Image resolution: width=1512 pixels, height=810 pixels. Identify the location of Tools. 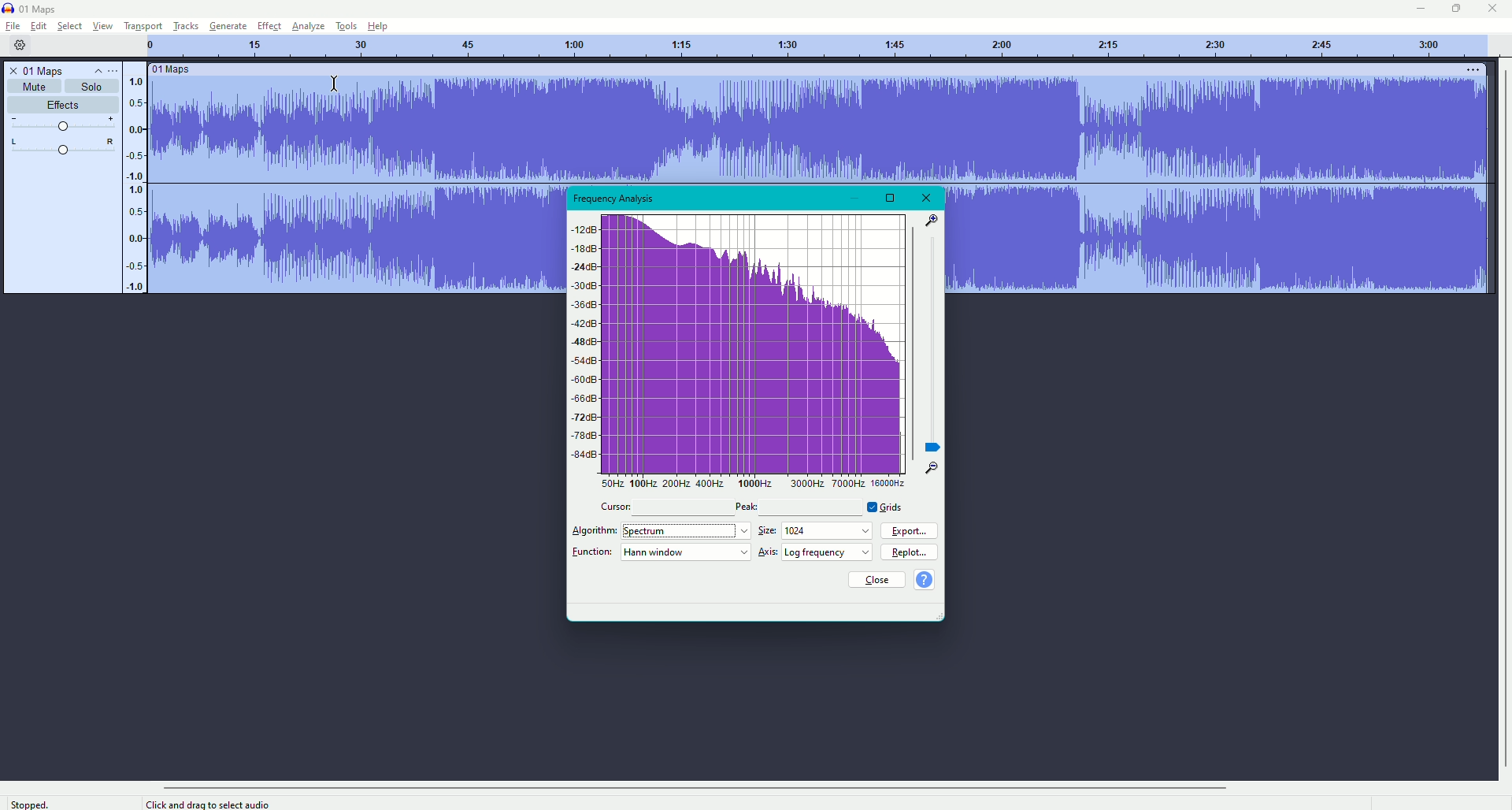
(344, 26).